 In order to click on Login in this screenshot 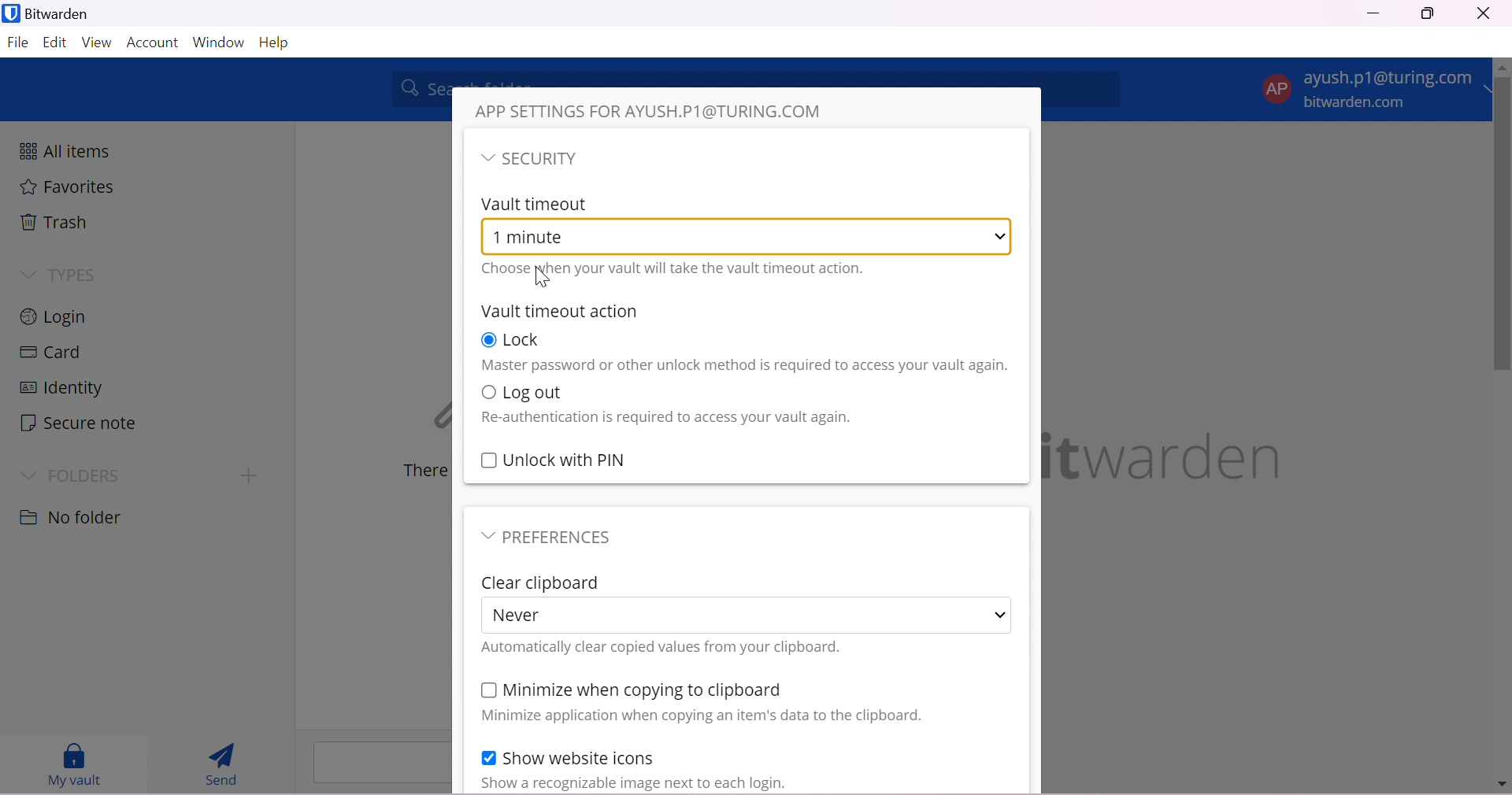, I will do `click(57, 315)`.